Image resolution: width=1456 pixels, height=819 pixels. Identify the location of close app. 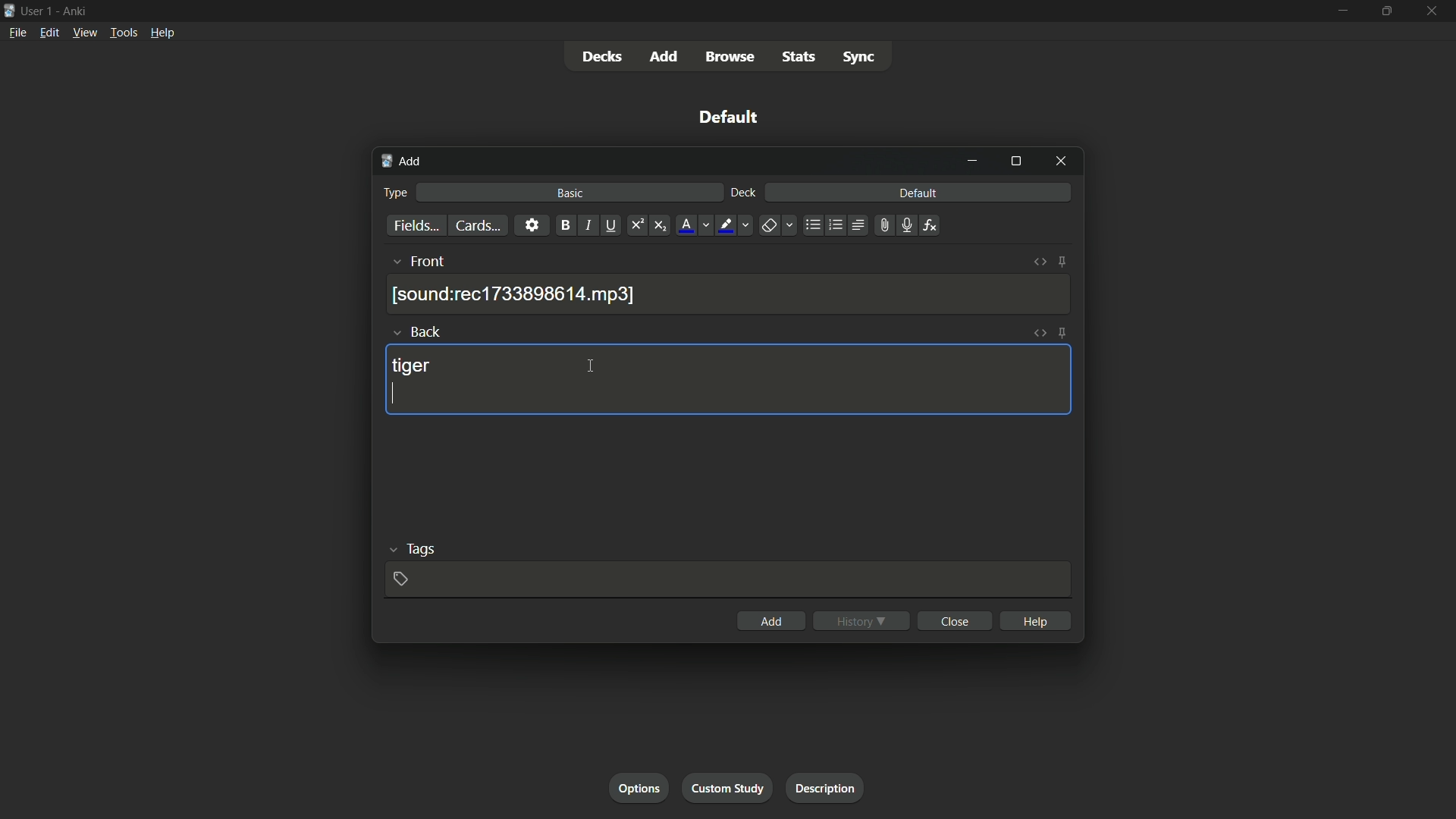
(1433, 11).